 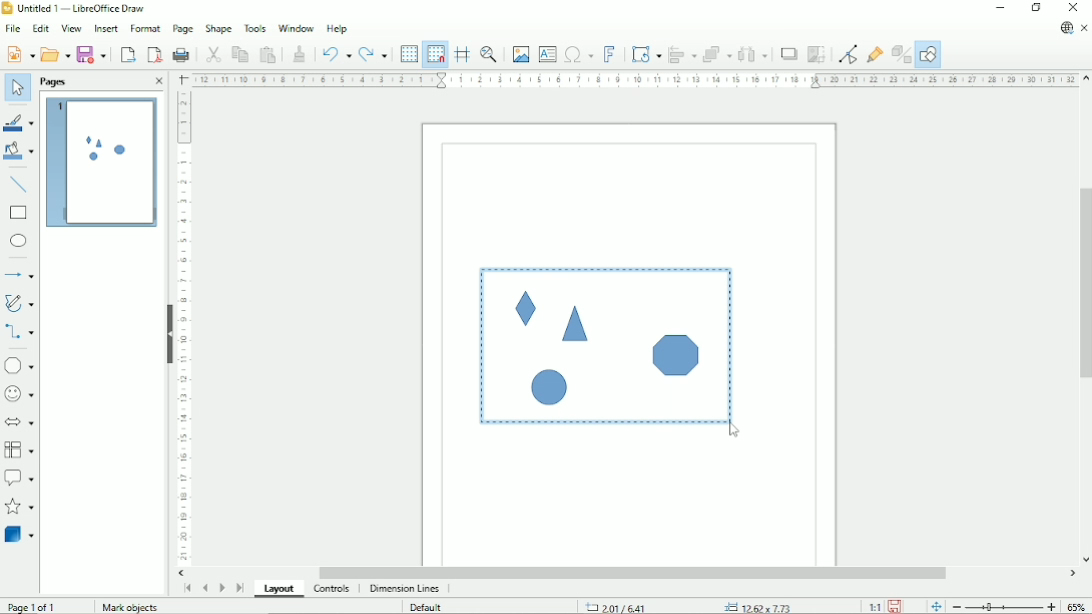 I want to click on Pages, so click(x=52, y=81).